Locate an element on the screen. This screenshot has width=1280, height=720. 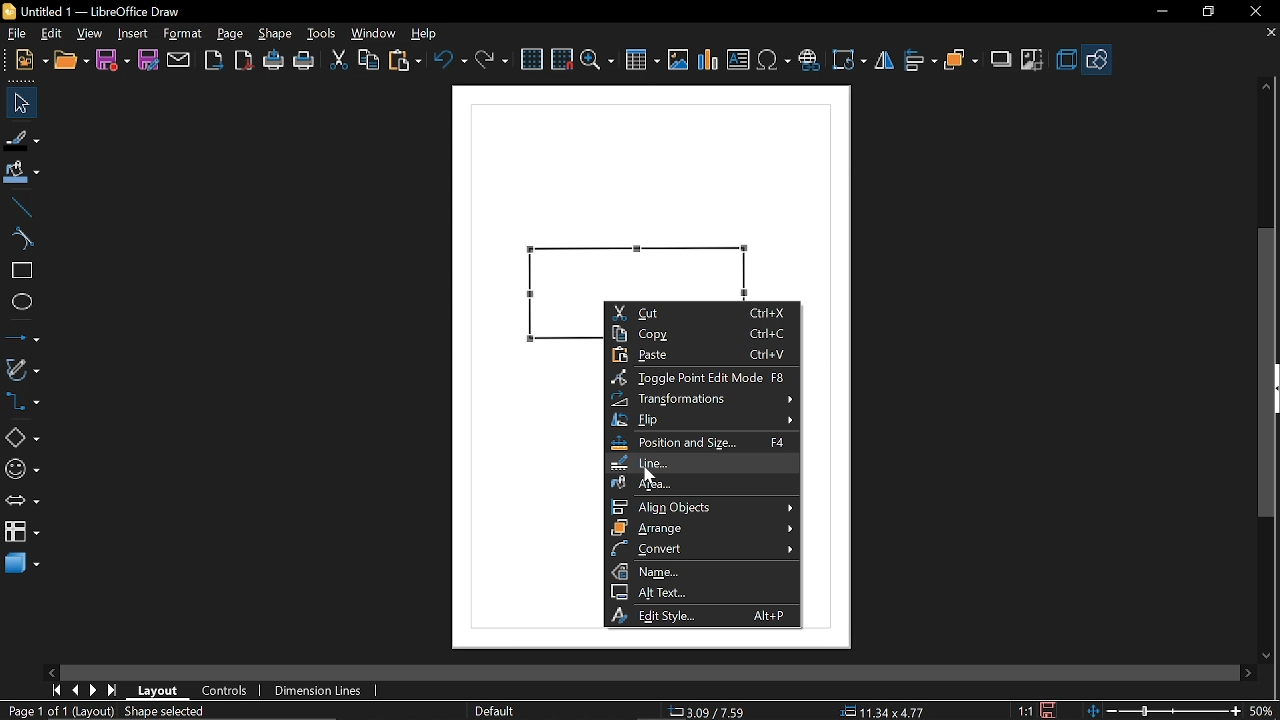
edit style is located at coordinates (702, 615).